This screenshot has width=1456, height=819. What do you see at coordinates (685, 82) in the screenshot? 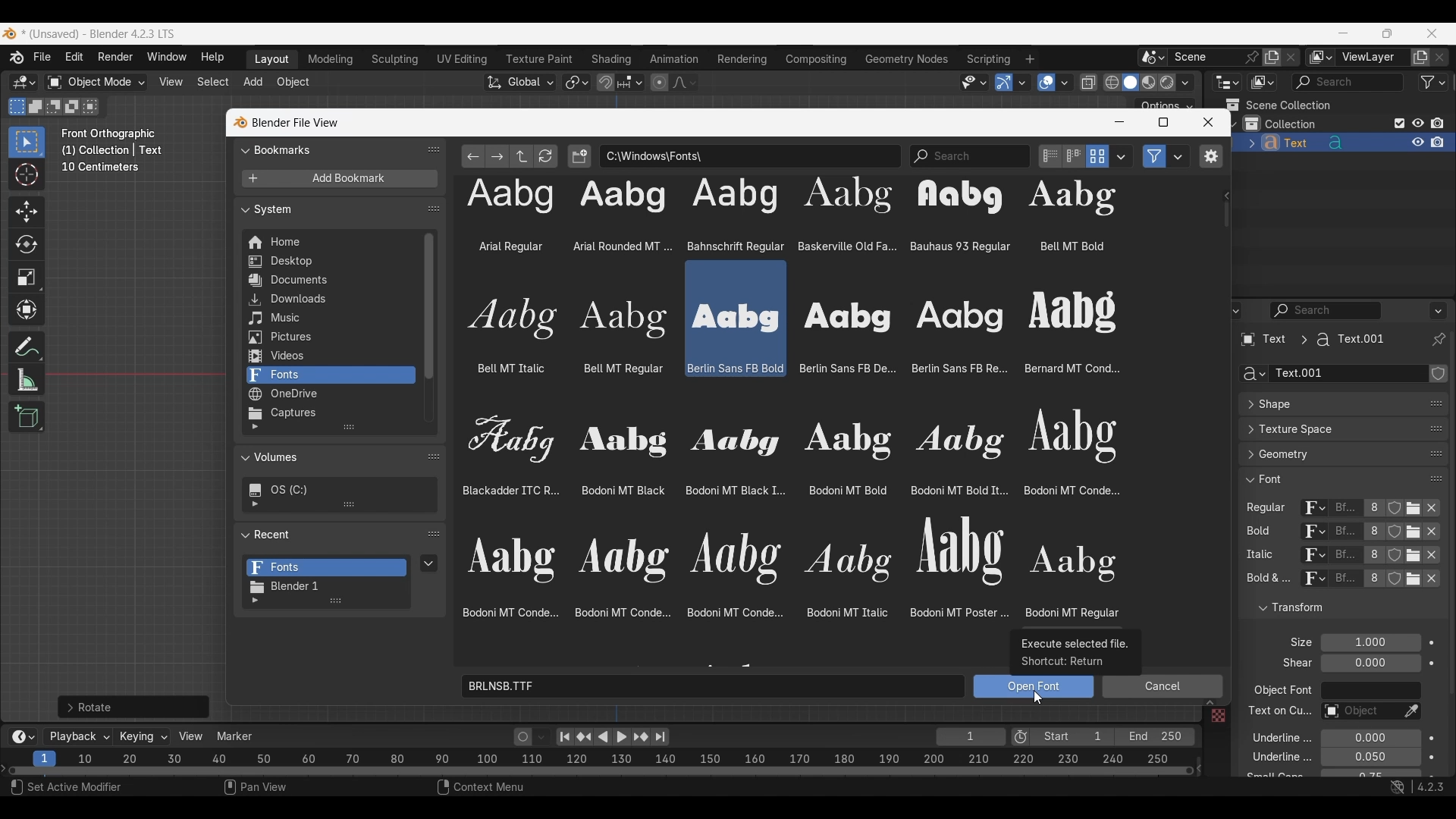
I see `Proportional editing falloff` at bounding box center [685, 82].